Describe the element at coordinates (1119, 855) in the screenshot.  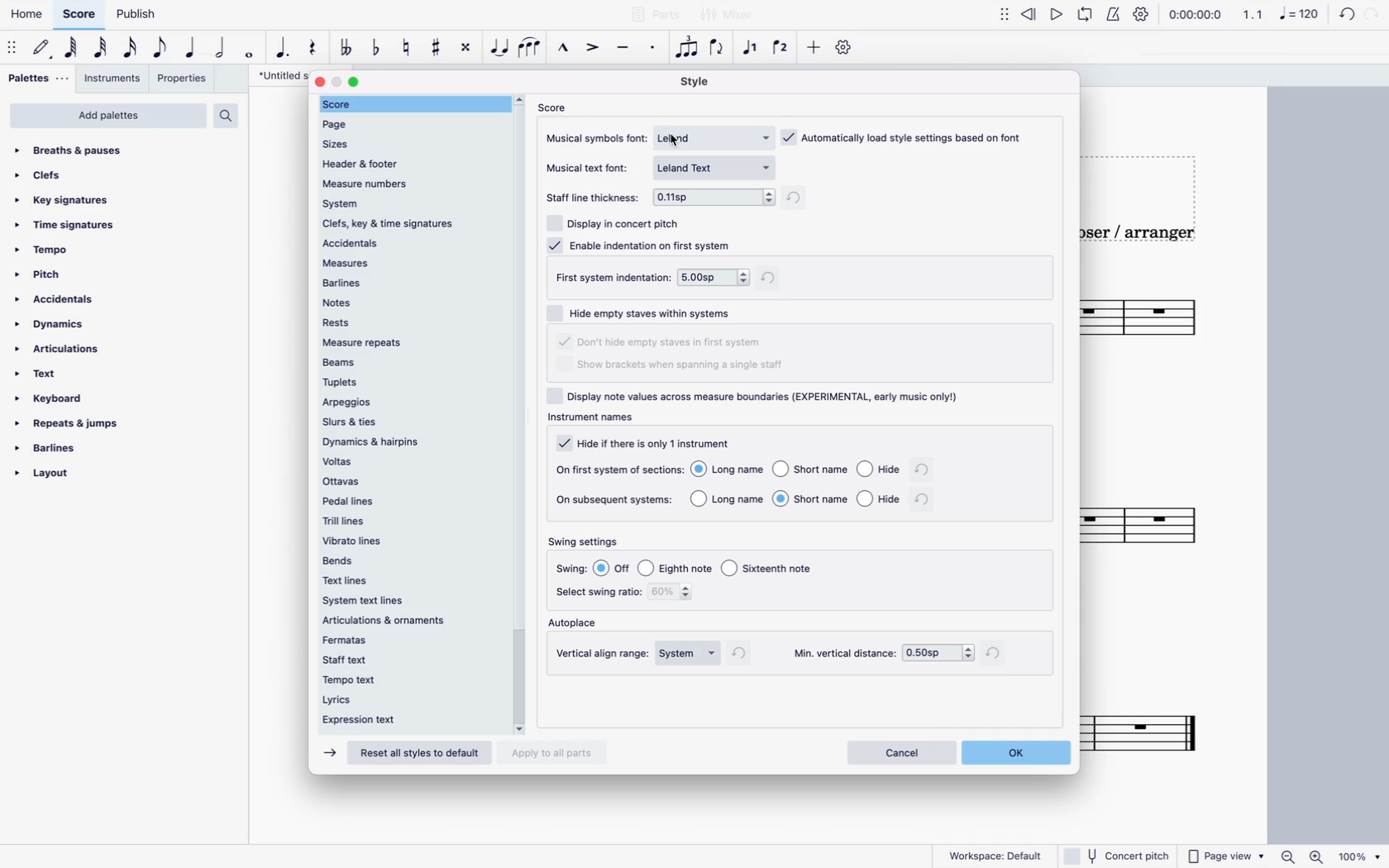
I see `` at that location.